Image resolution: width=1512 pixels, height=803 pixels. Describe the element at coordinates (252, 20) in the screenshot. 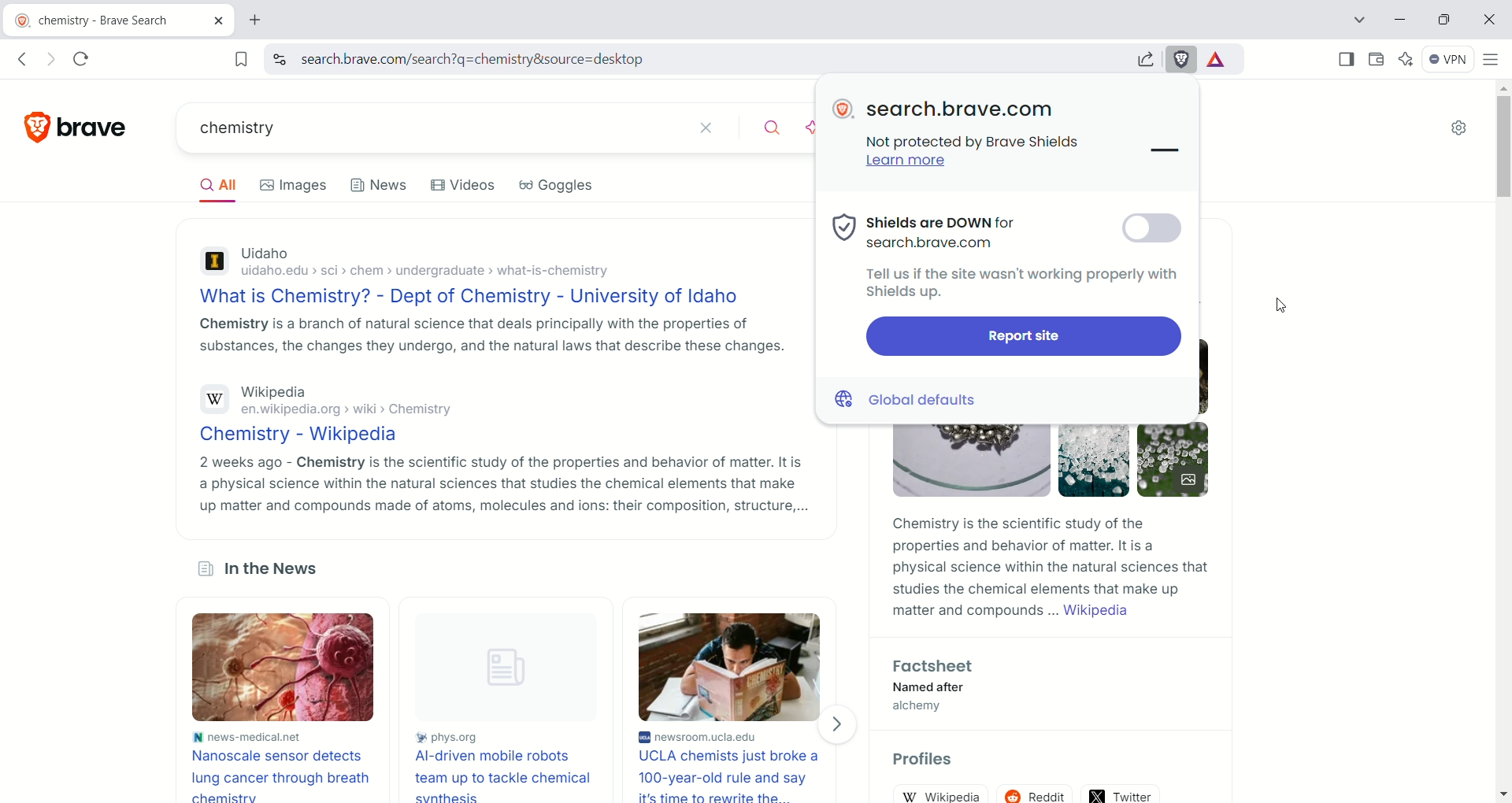

I see `new tab` at that location.